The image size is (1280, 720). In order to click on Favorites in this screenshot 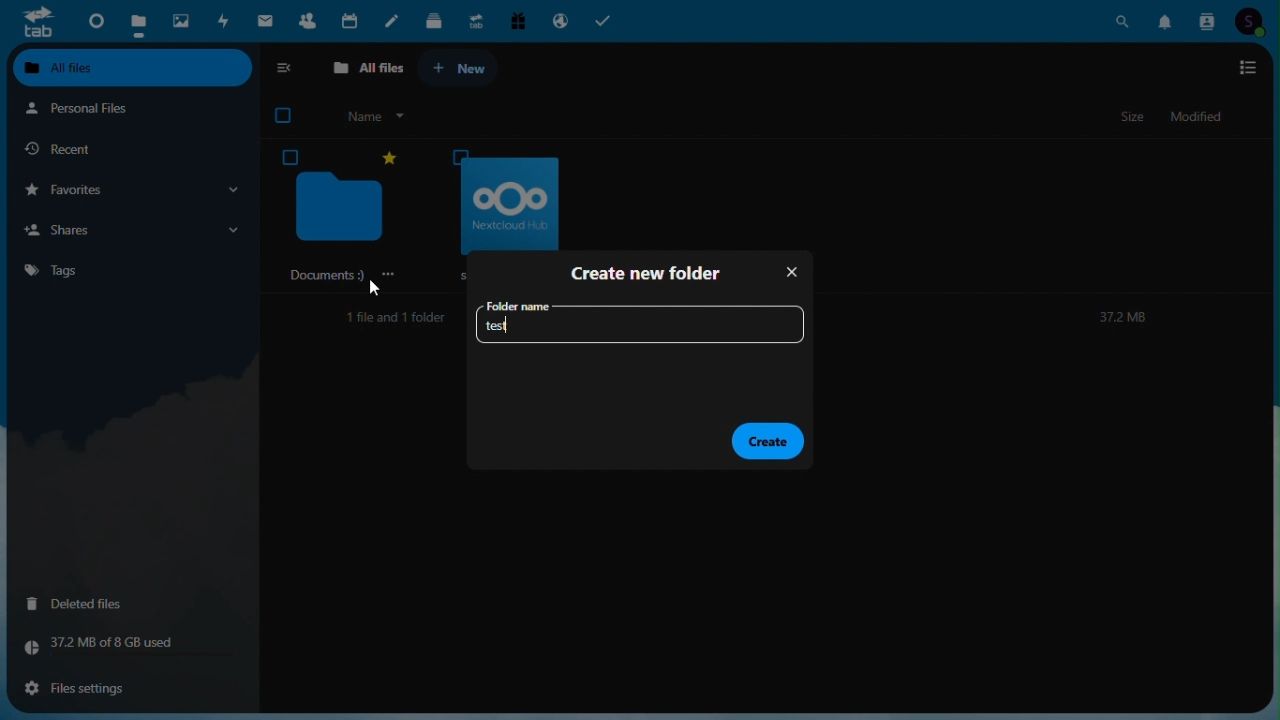, I will do `click(126, 192)`.